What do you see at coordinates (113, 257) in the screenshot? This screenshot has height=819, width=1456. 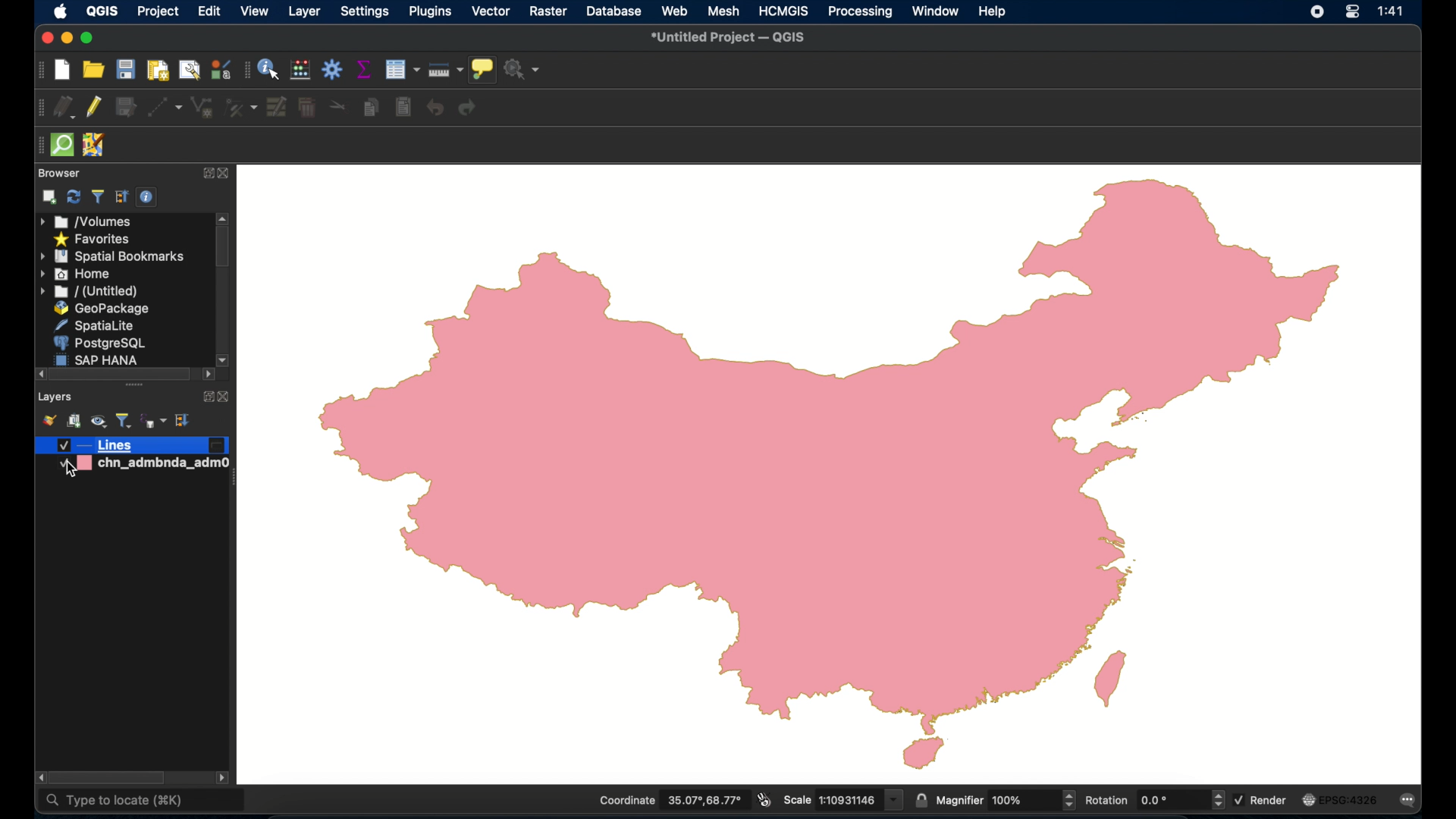 I see `spatial bookmarks` at bounding box center [113, 257].